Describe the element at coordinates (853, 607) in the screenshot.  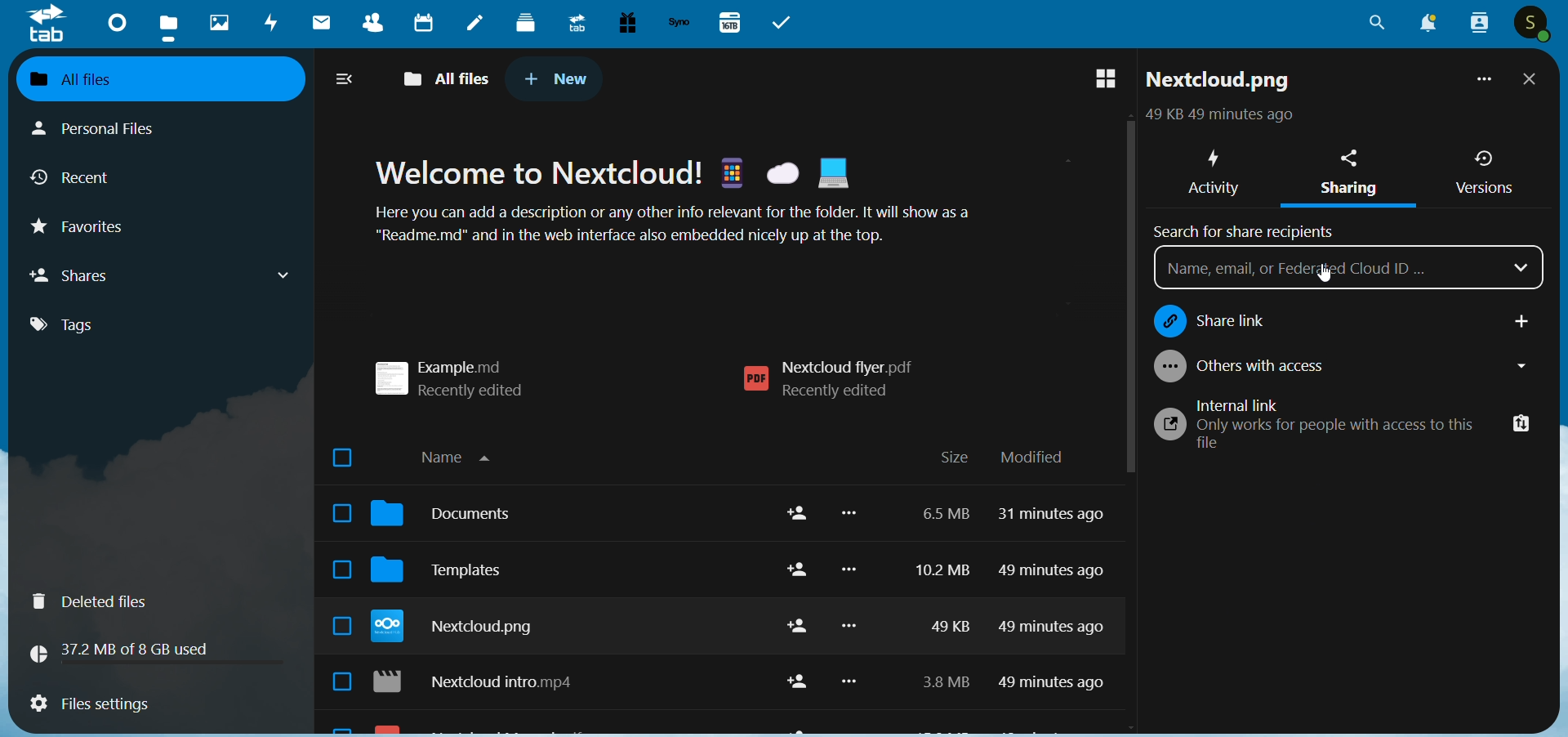
I see `more` at that location.